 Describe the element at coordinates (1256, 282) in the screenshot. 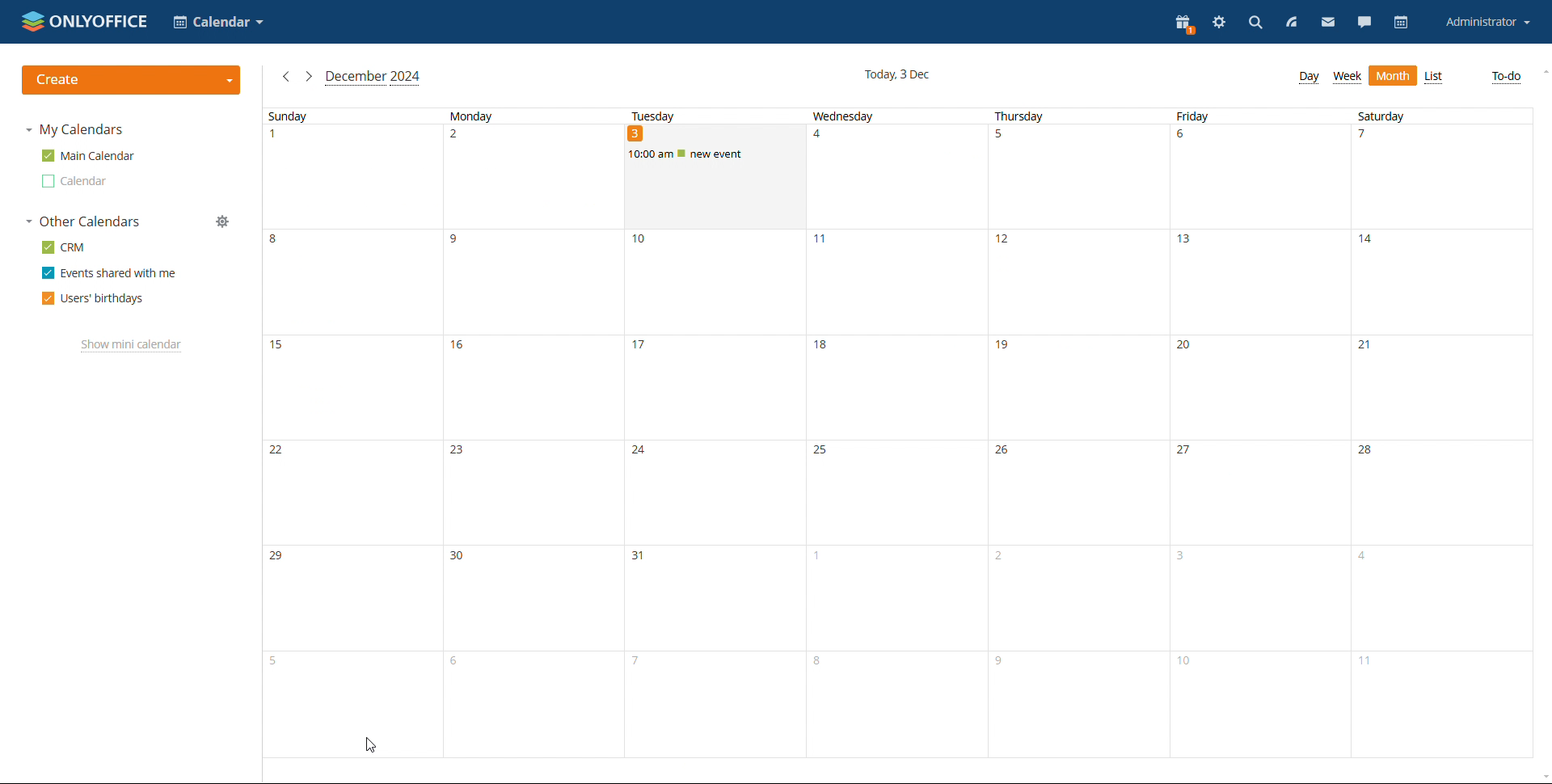

I see `13` at that location.